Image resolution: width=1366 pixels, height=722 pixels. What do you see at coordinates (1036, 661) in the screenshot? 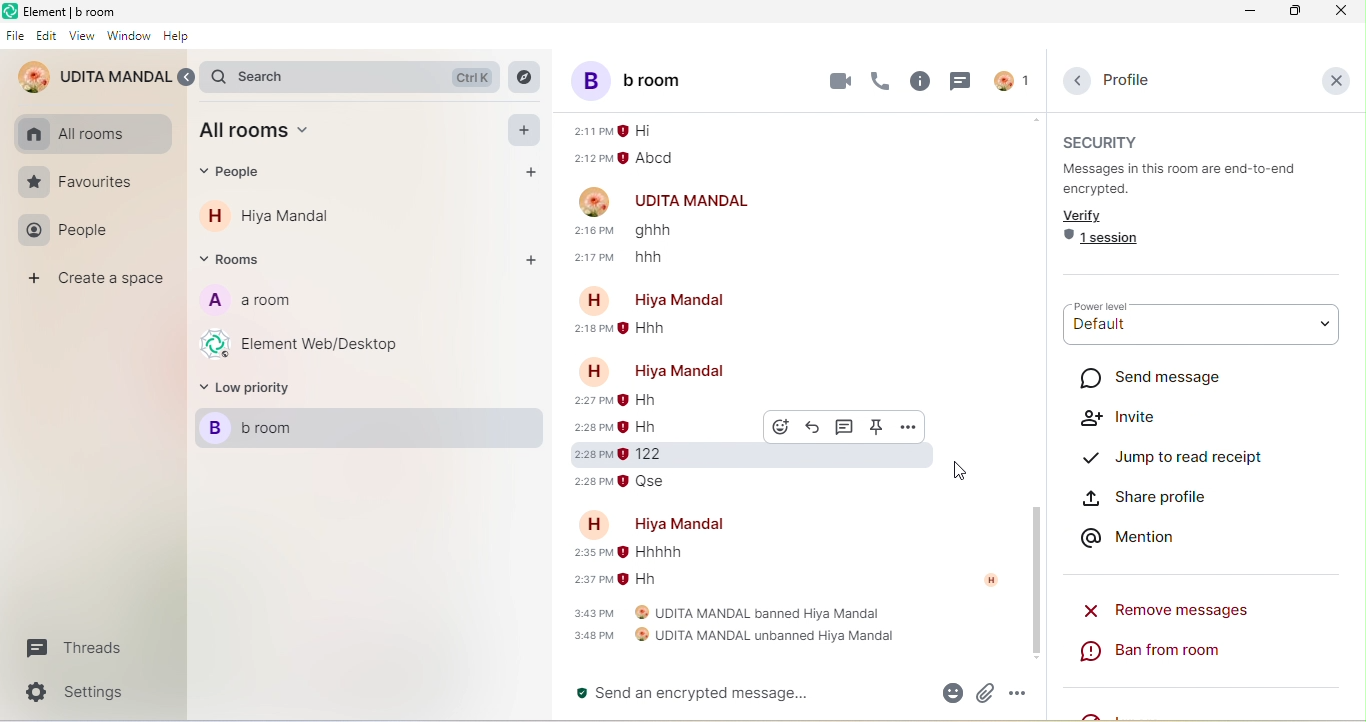
I see `scroll down` at bounding box center [1036, 661].